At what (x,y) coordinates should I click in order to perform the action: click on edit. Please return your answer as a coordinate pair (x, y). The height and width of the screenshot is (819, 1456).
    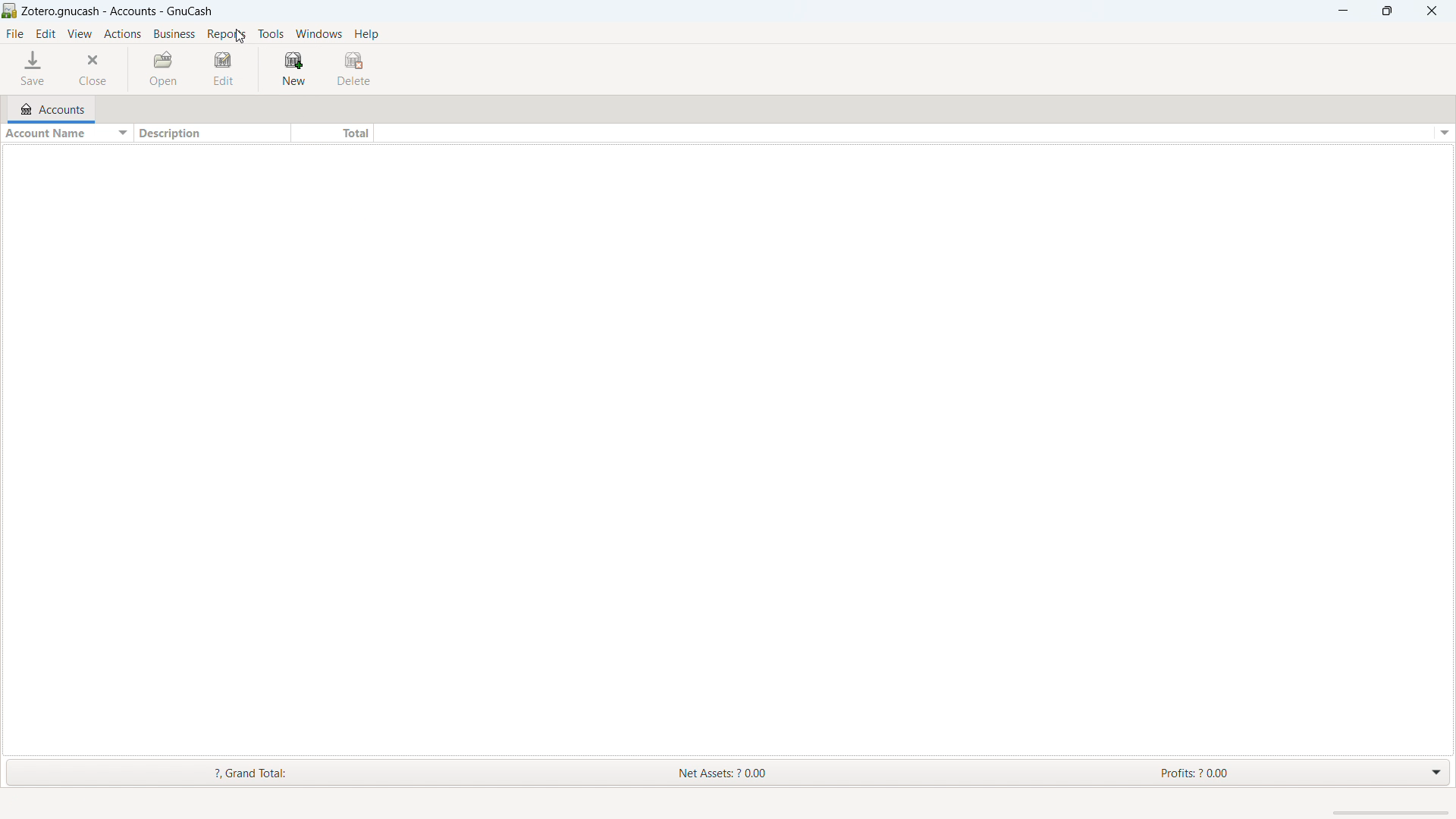
    Looking at the image, I should click on (228, 69).